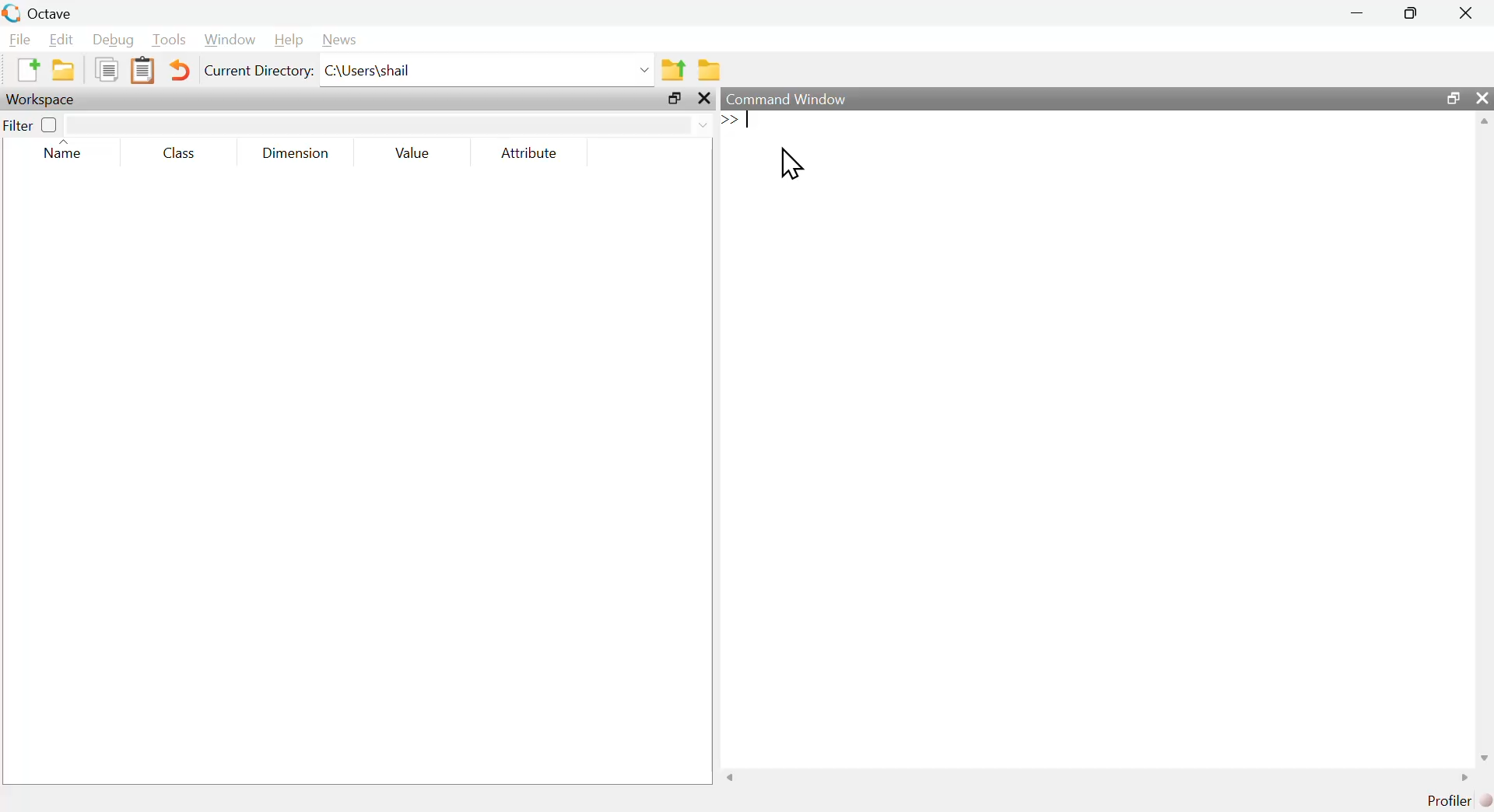  Describe the element at coordinates (258, 71) in the screenshot. I see `current directory` at that location.